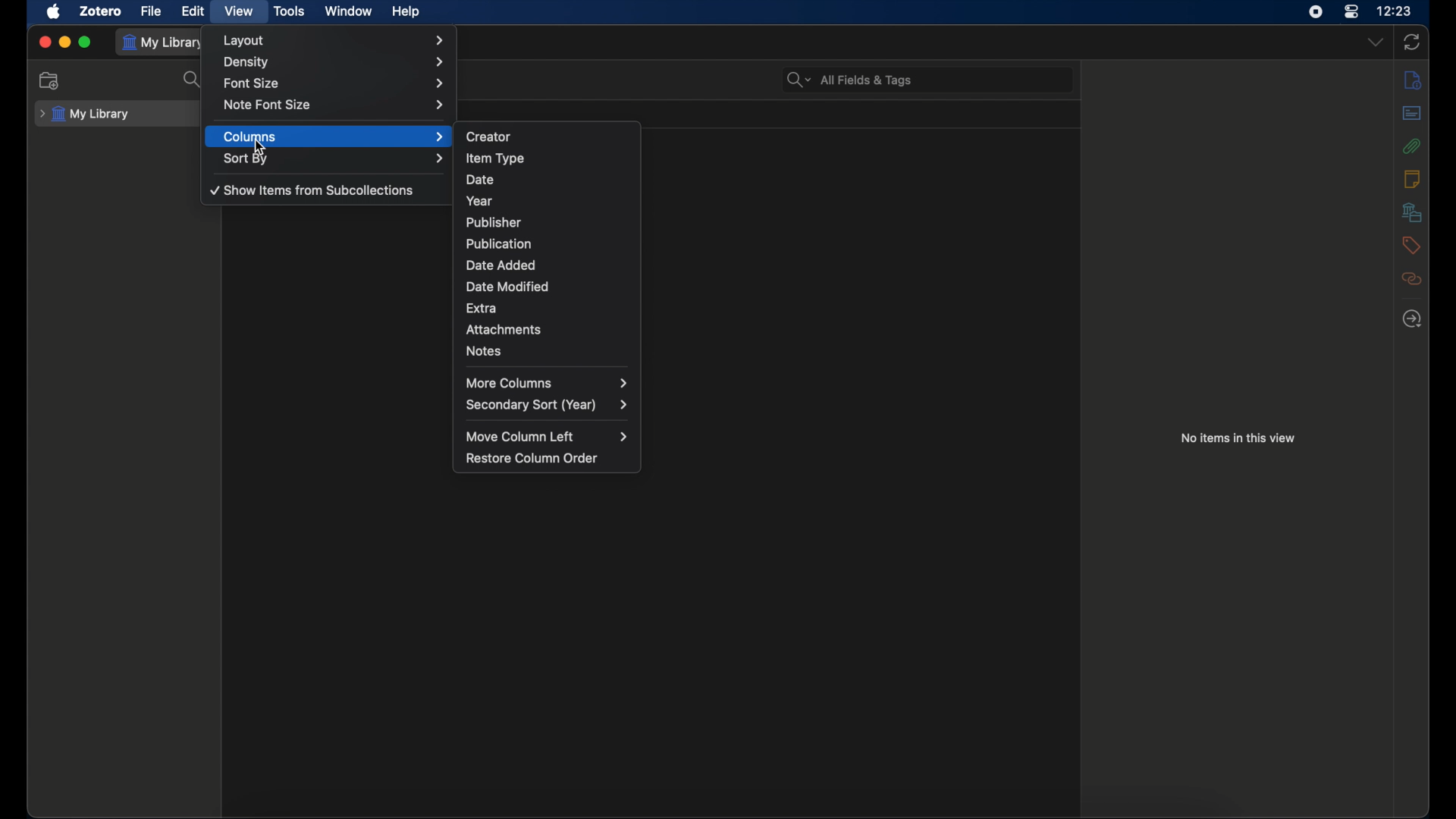 This screenshot has width=1456, height=819. I want to click on attachments, so click(505, 329).